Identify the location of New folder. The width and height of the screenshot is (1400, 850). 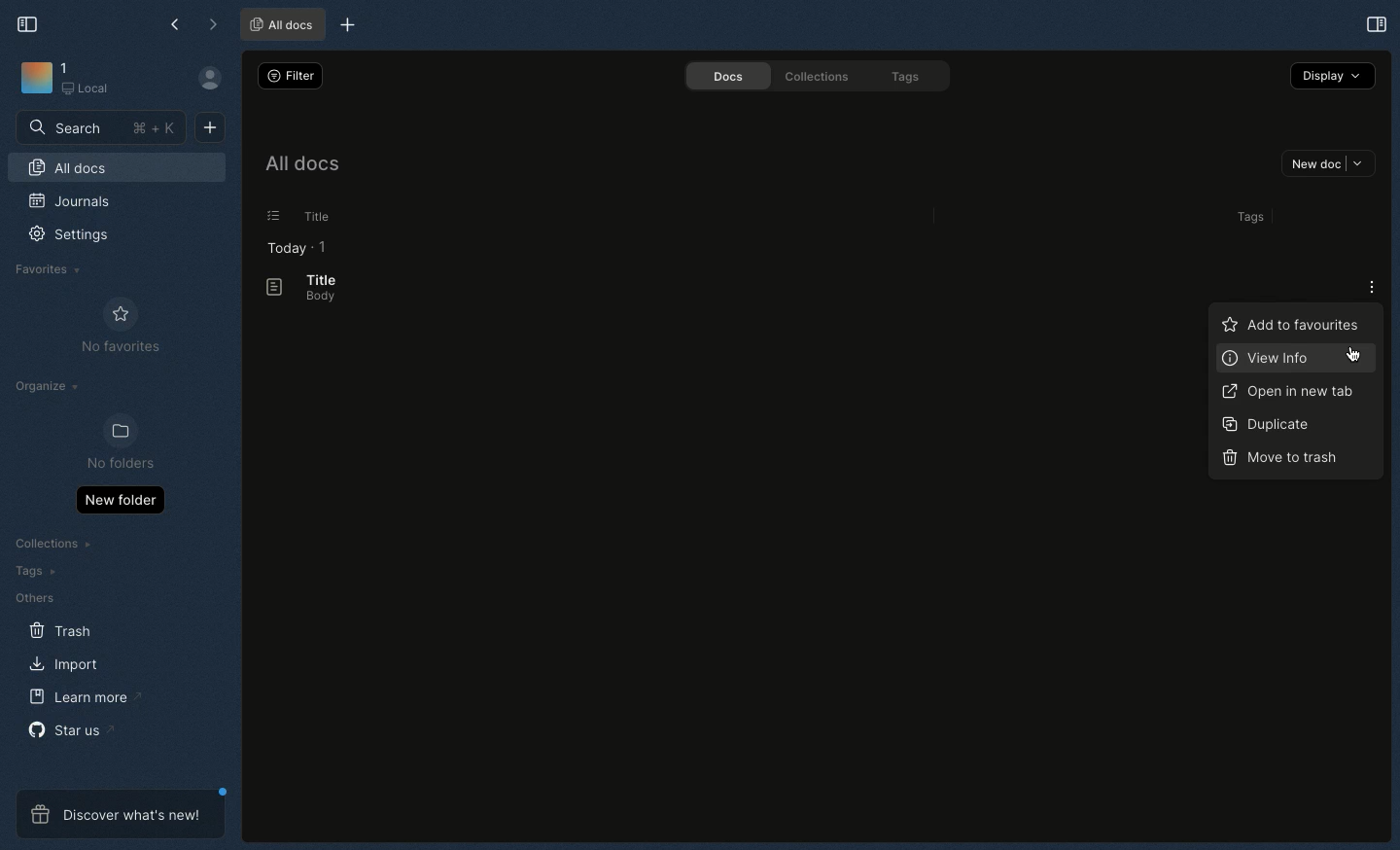
(120, 499).